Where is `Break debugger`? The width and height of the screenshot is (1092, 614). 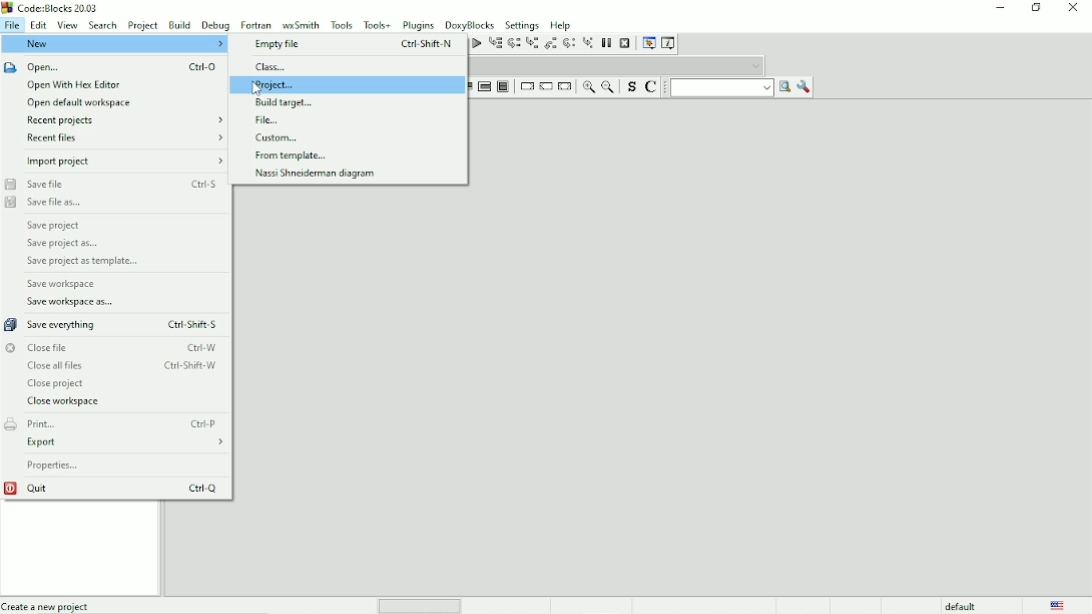 Break debugger is located at coordinates (607, 43).